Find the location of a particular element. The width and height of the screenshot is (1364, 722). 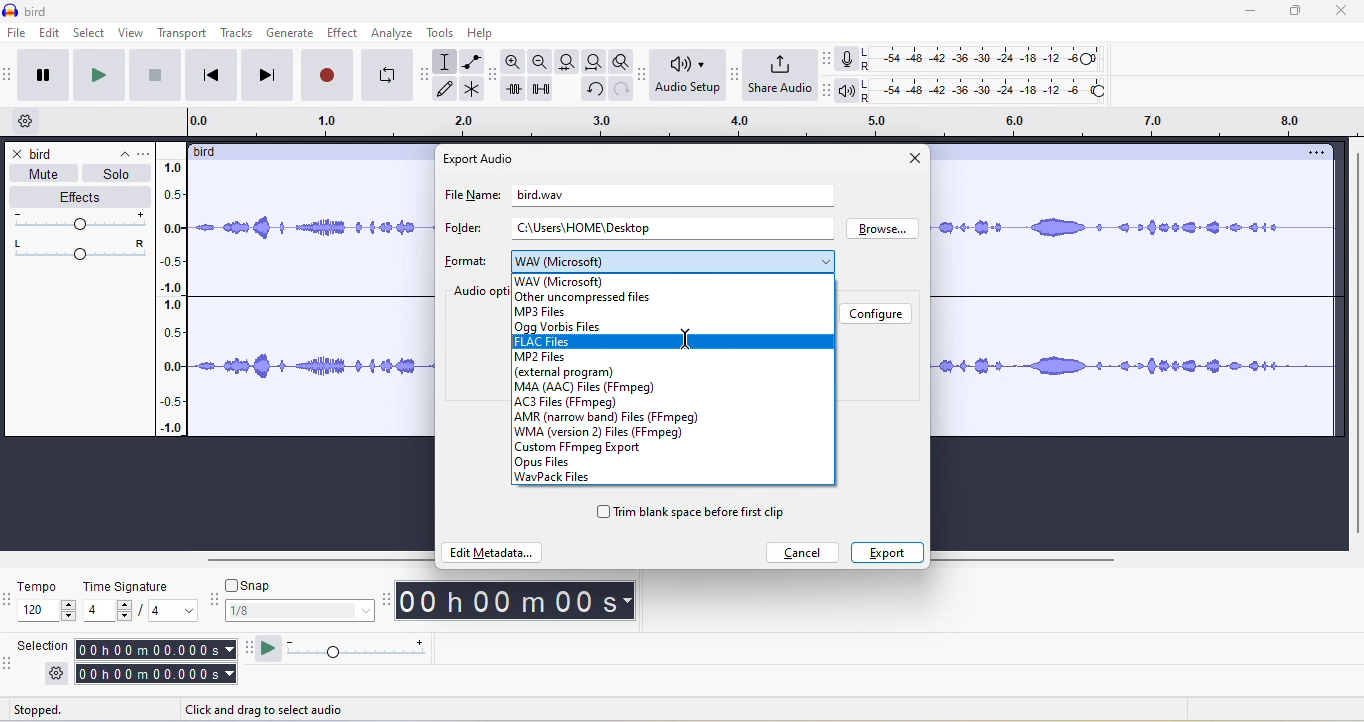

ac3 files is located at coordinates (576, 402).